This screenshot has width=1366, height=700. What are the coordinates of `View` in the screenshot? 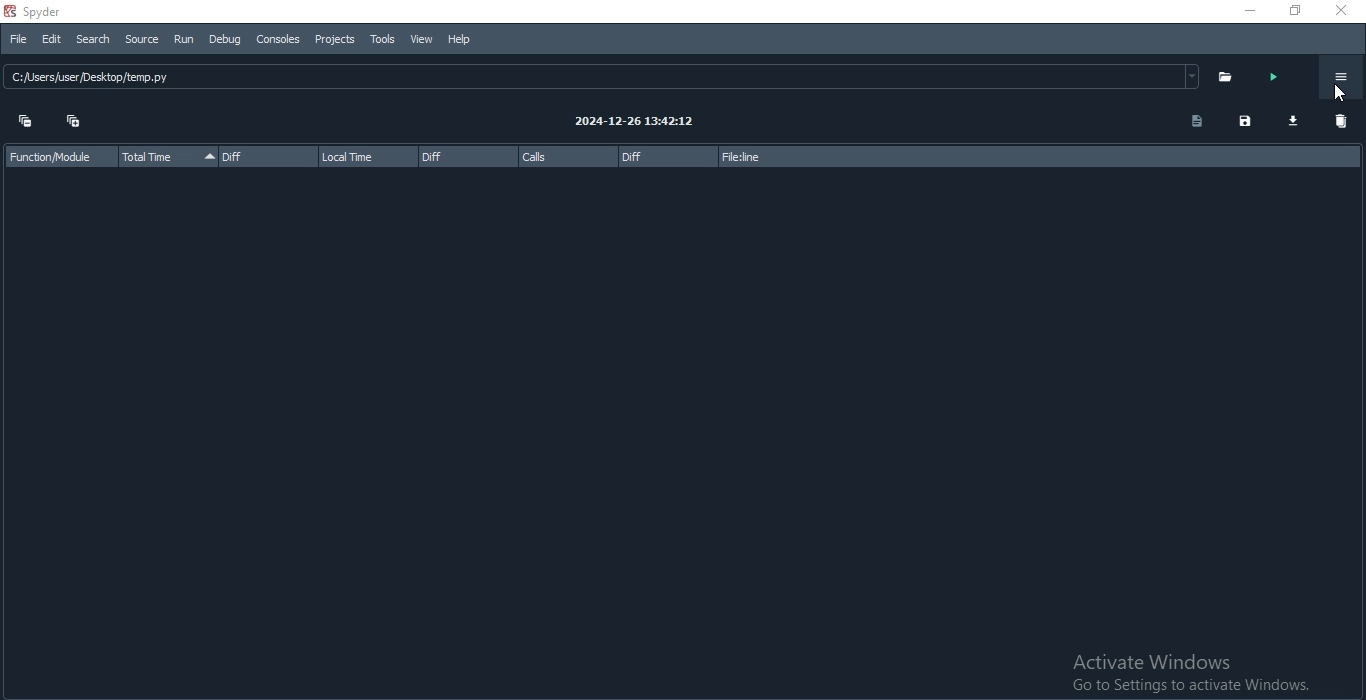 It's located at (422, 40).